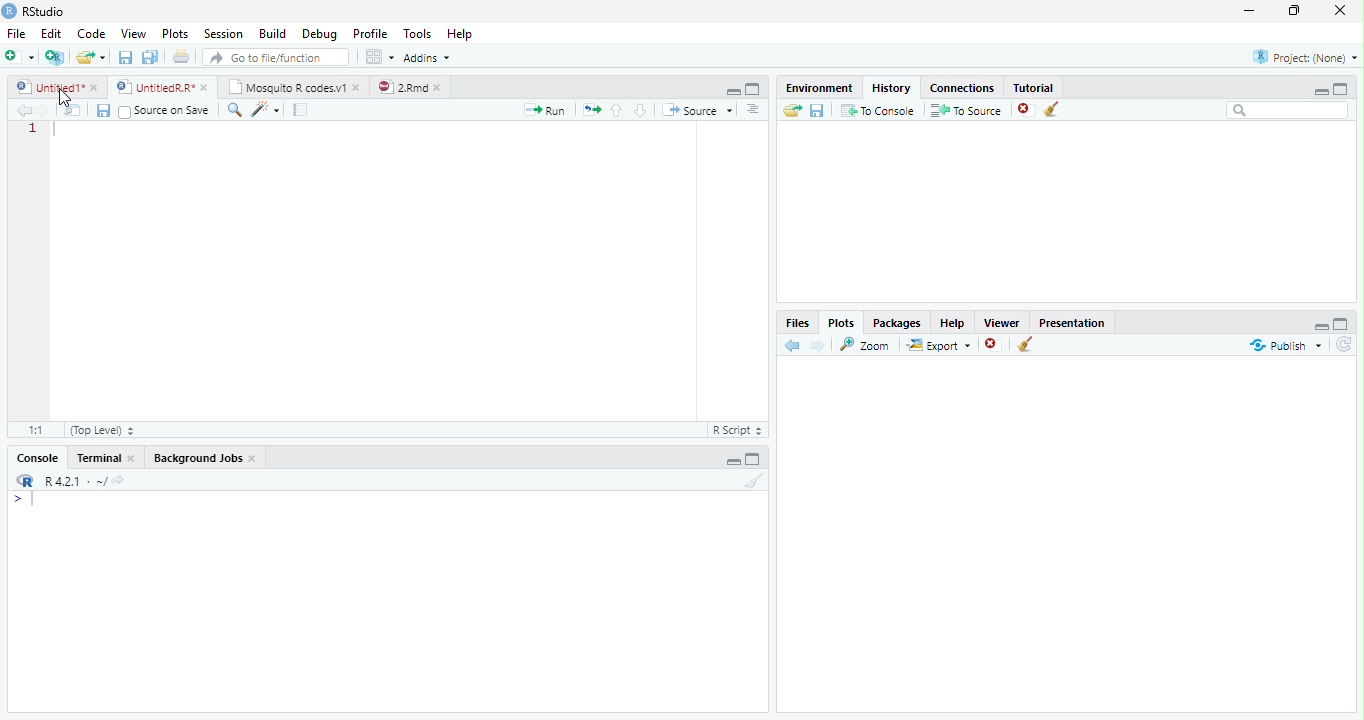 The image size is (1364, 720). What do you see at coordinates (34, 430) in the screenshot?
I see `1:1` at bounding box center [34, 430].